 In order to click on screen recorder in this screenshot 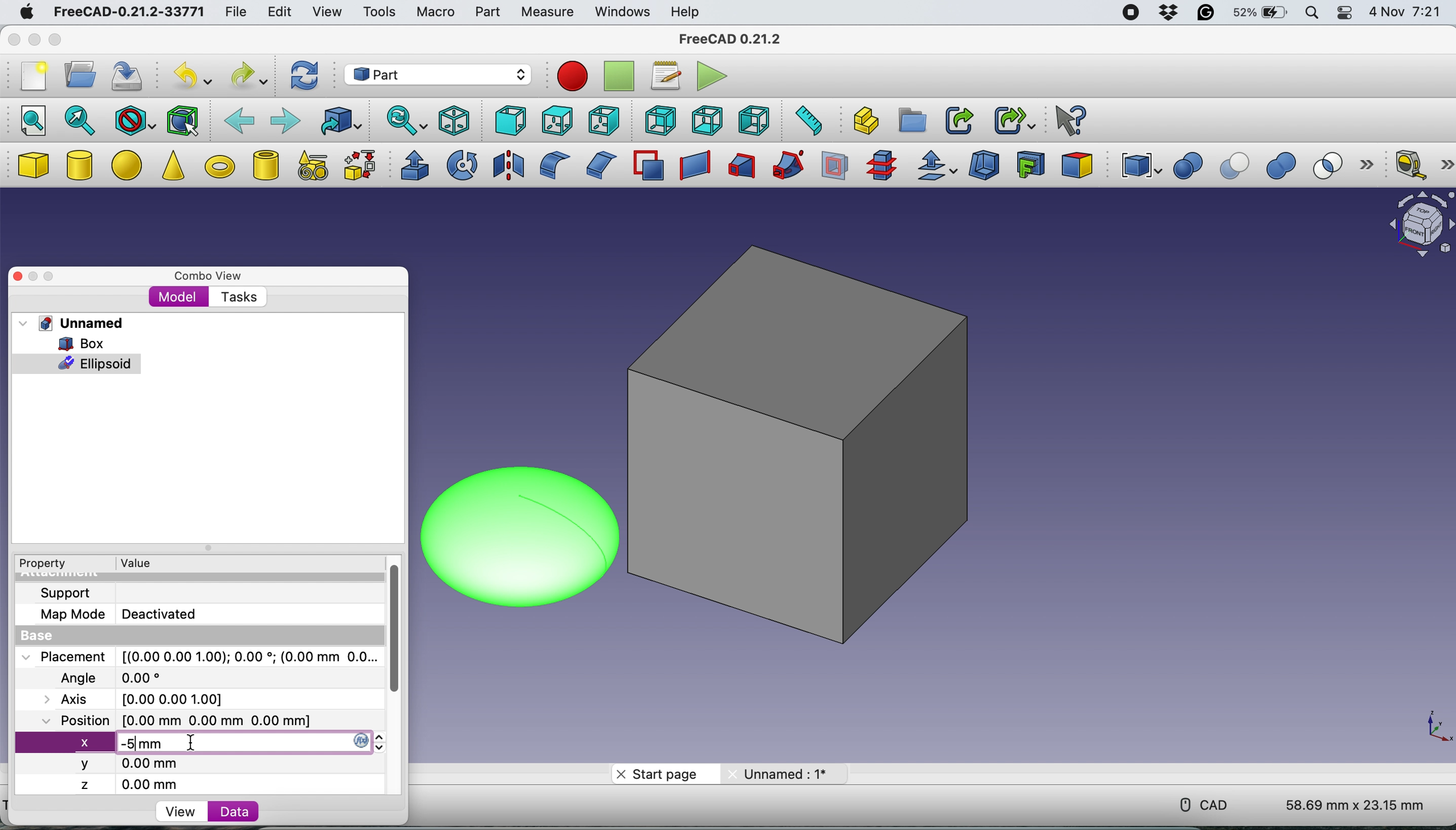, I will do `click(1130, 14)`.